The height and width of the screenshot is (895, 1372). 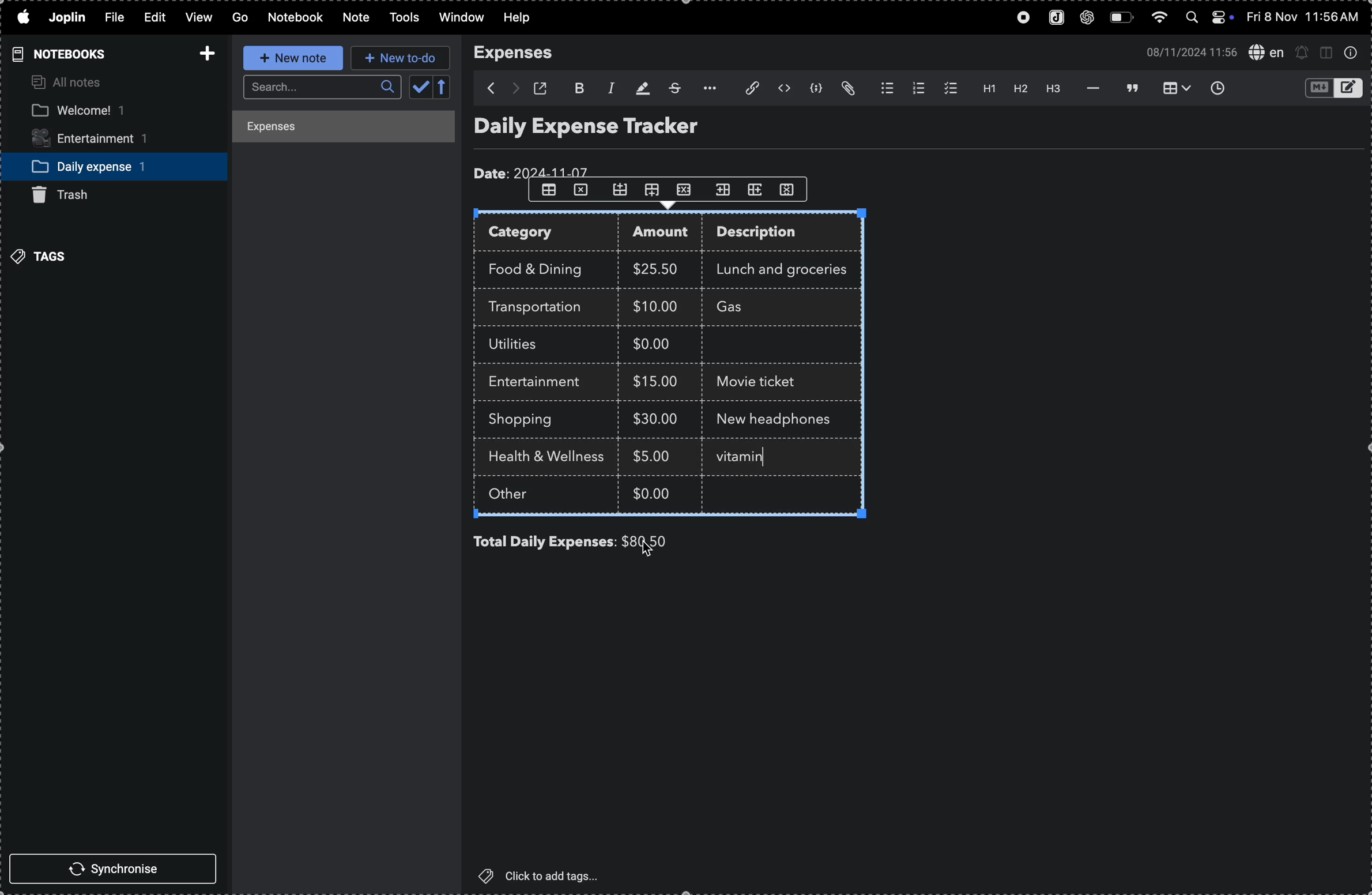 What do you see at coordinates (687, 189) in the screenshot?
I see `close row` at bounding box center [687, 189].